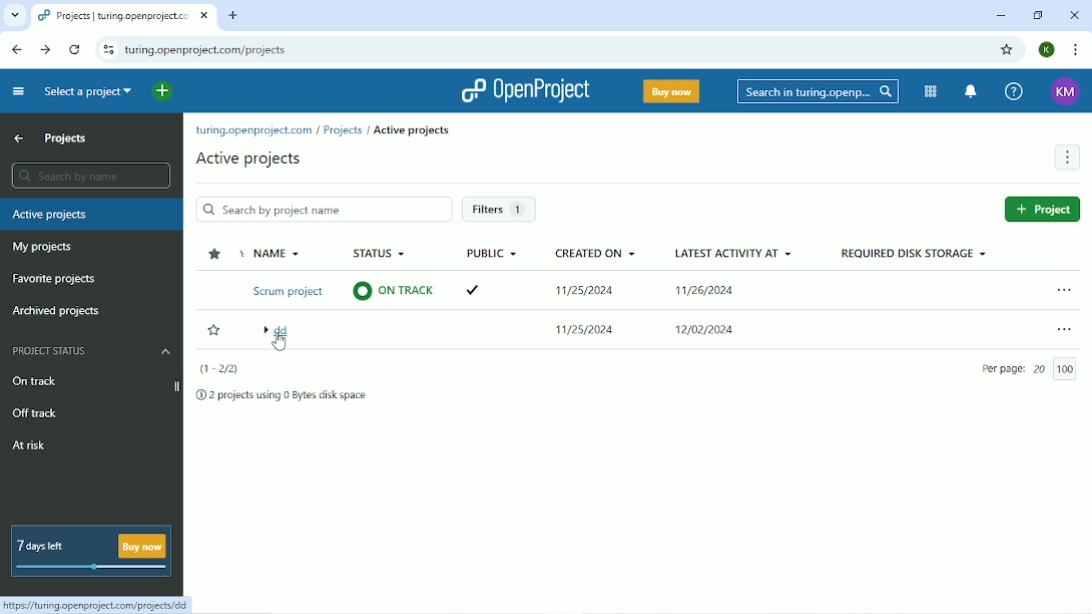  Describe the element at coordinates (92, 351) in the screenshot. I see `Project status` at that location.